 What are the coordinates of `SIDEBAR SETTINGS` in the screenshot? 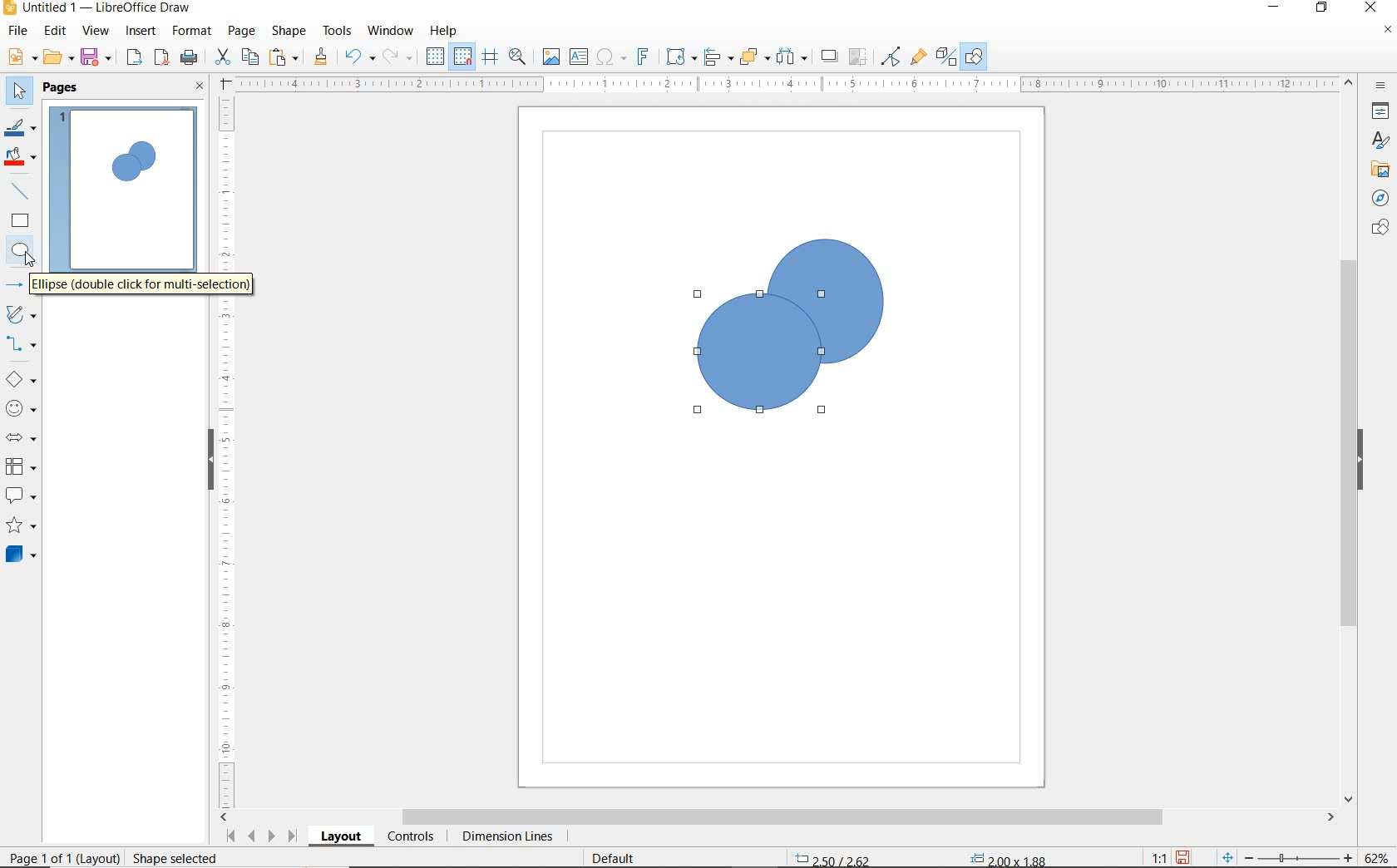 It's located at (1381, 86).